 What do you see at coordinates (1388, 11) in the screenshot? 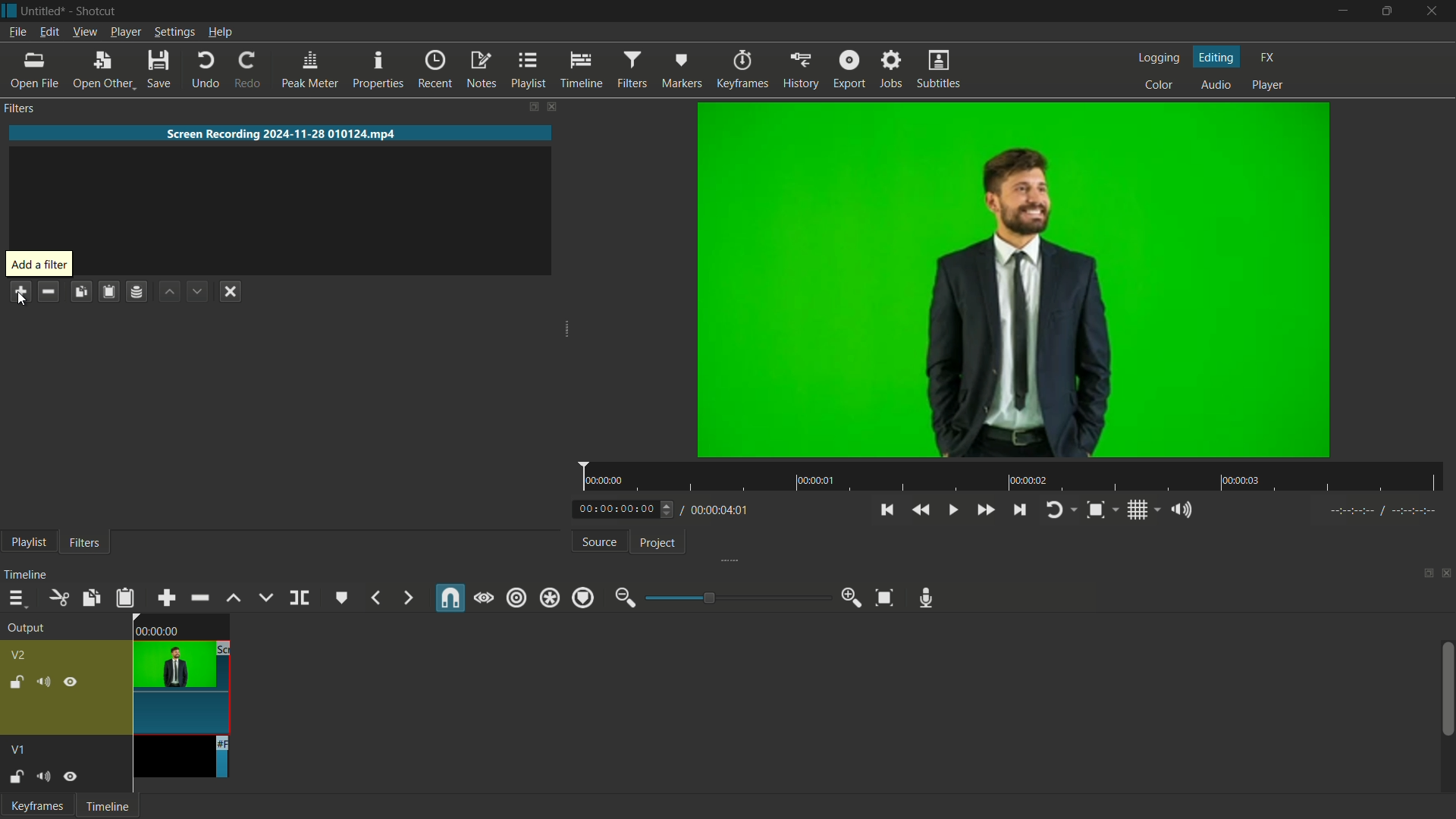
I see `Maximize` at bounding box center [1388, 11].